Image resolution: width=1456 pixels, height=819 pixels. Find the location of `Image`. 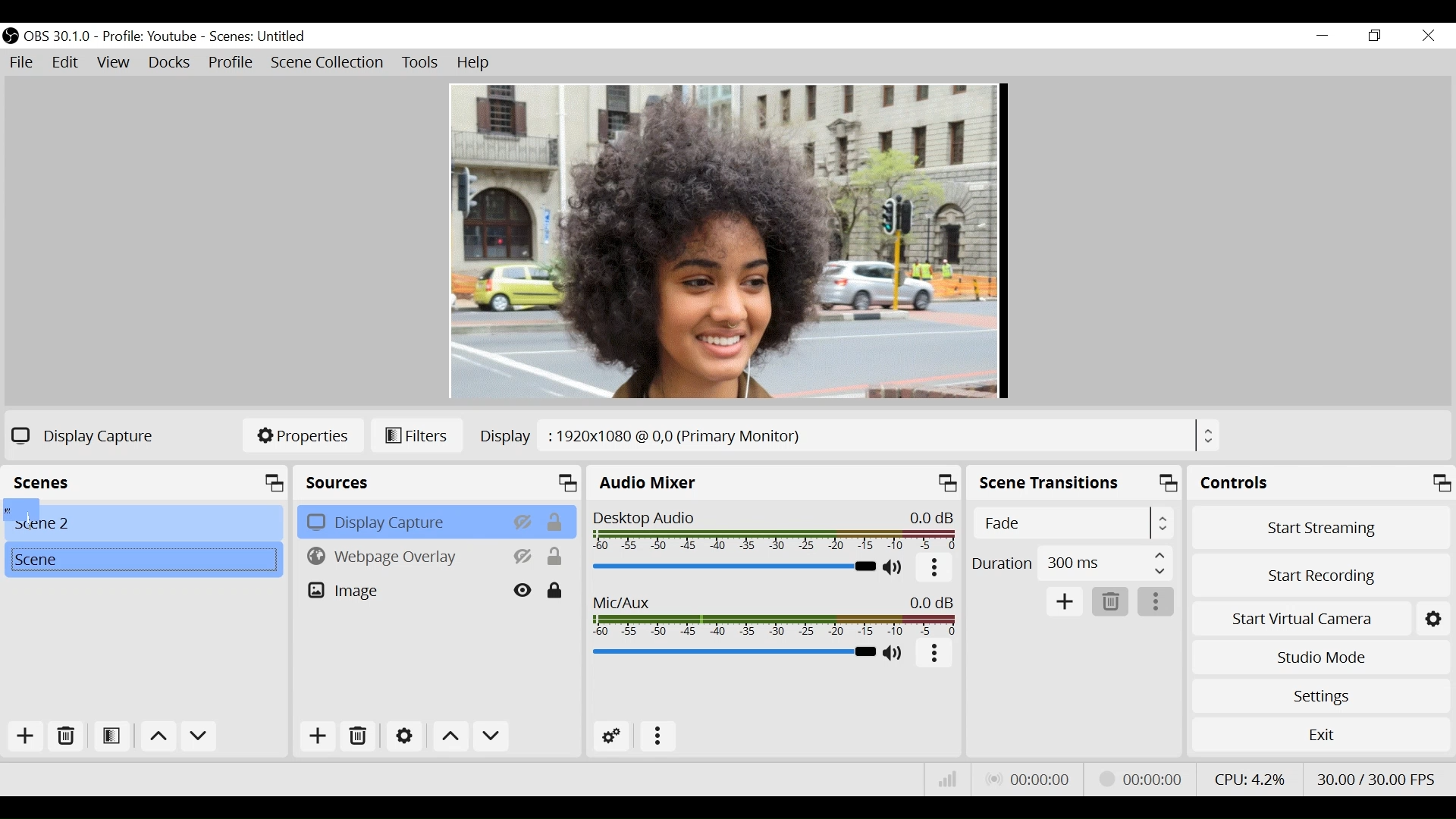

Image is located at coordinates (403, 589).